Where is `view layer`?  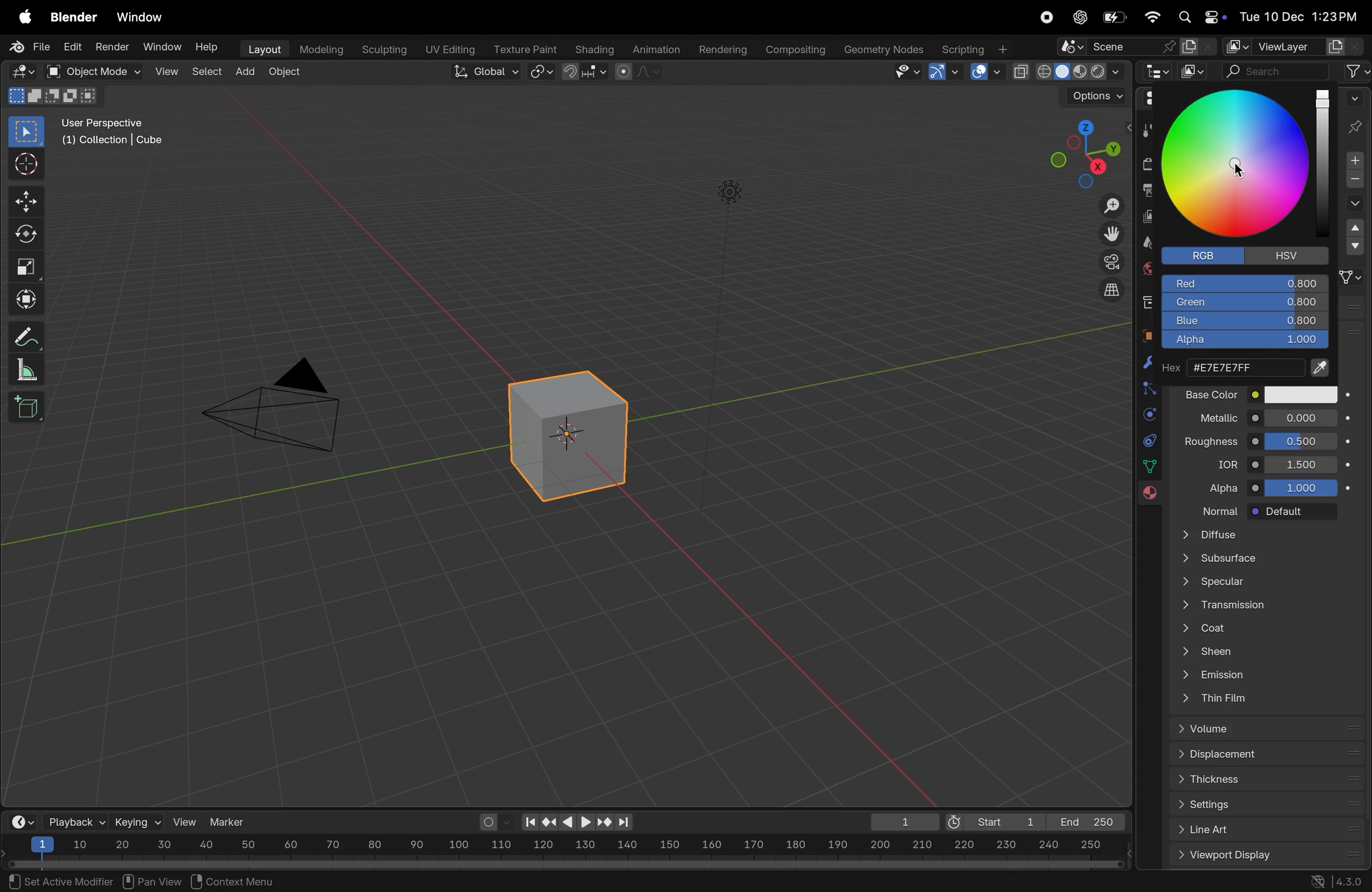 view layer is located at coordinates (1284, 44).